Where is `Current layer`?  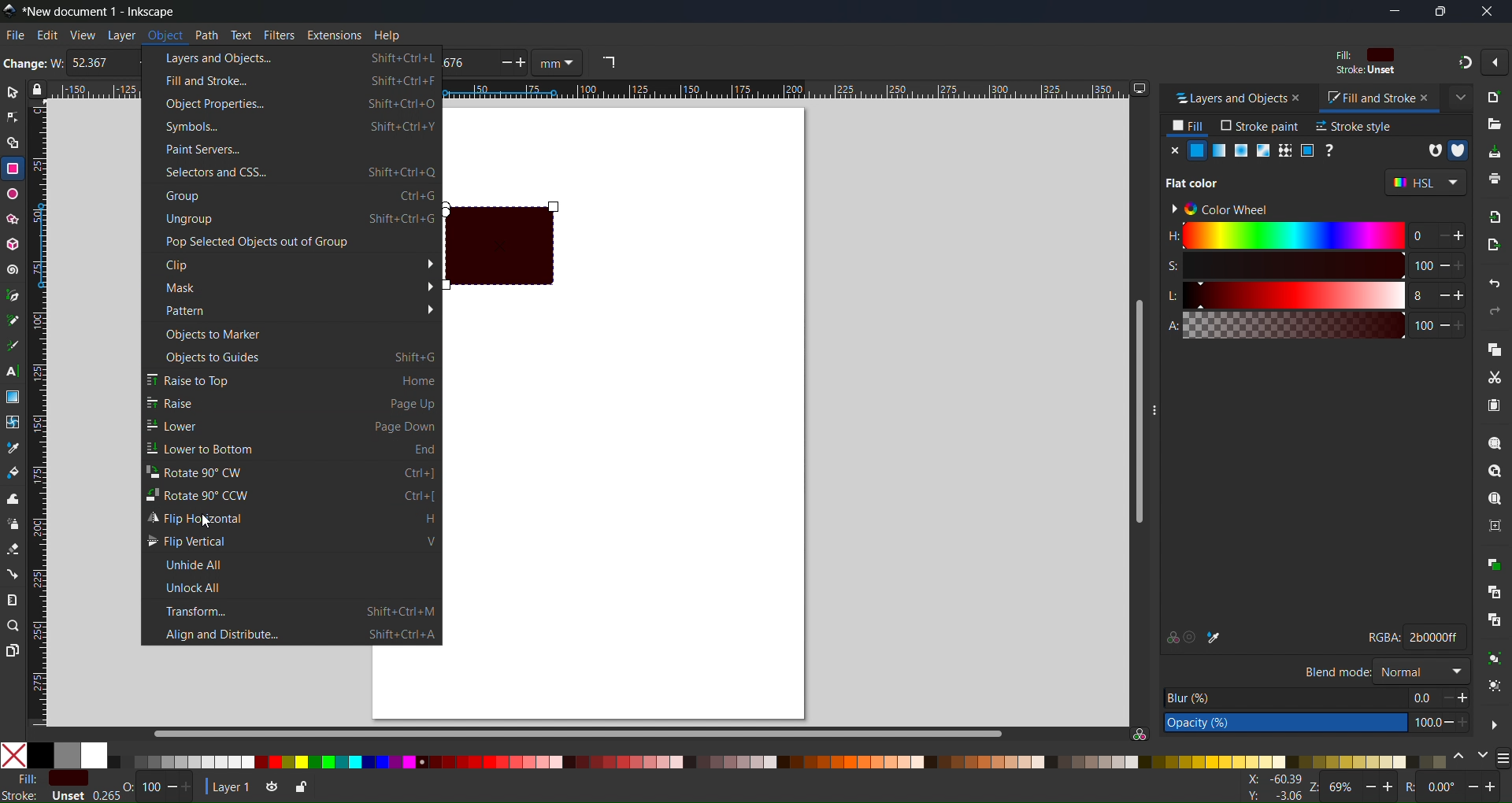 Current layer is located at coordinates (228, 786).